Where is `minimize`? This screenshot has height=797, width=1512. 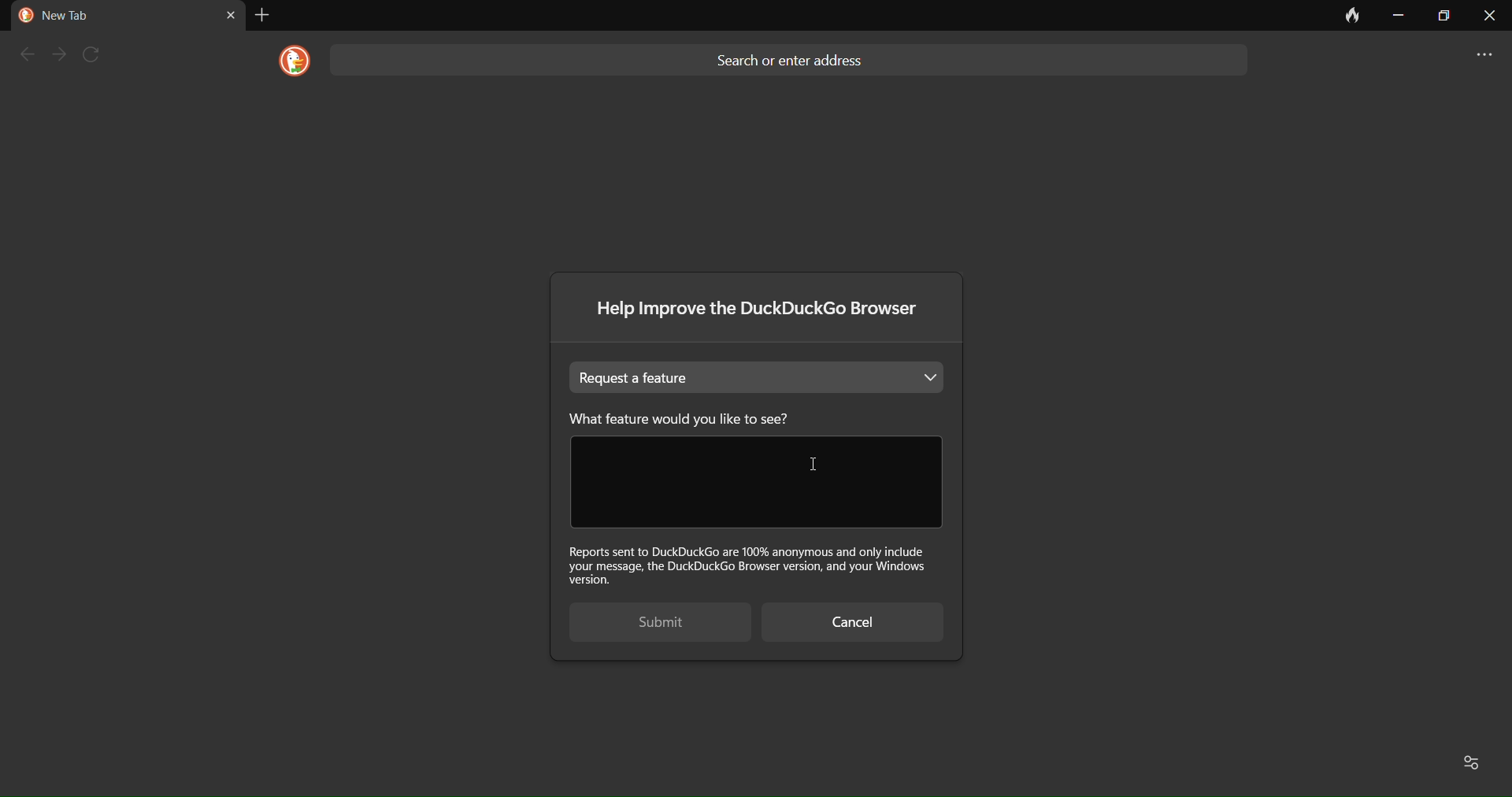 minimize is located at coordinates (1397, 16).